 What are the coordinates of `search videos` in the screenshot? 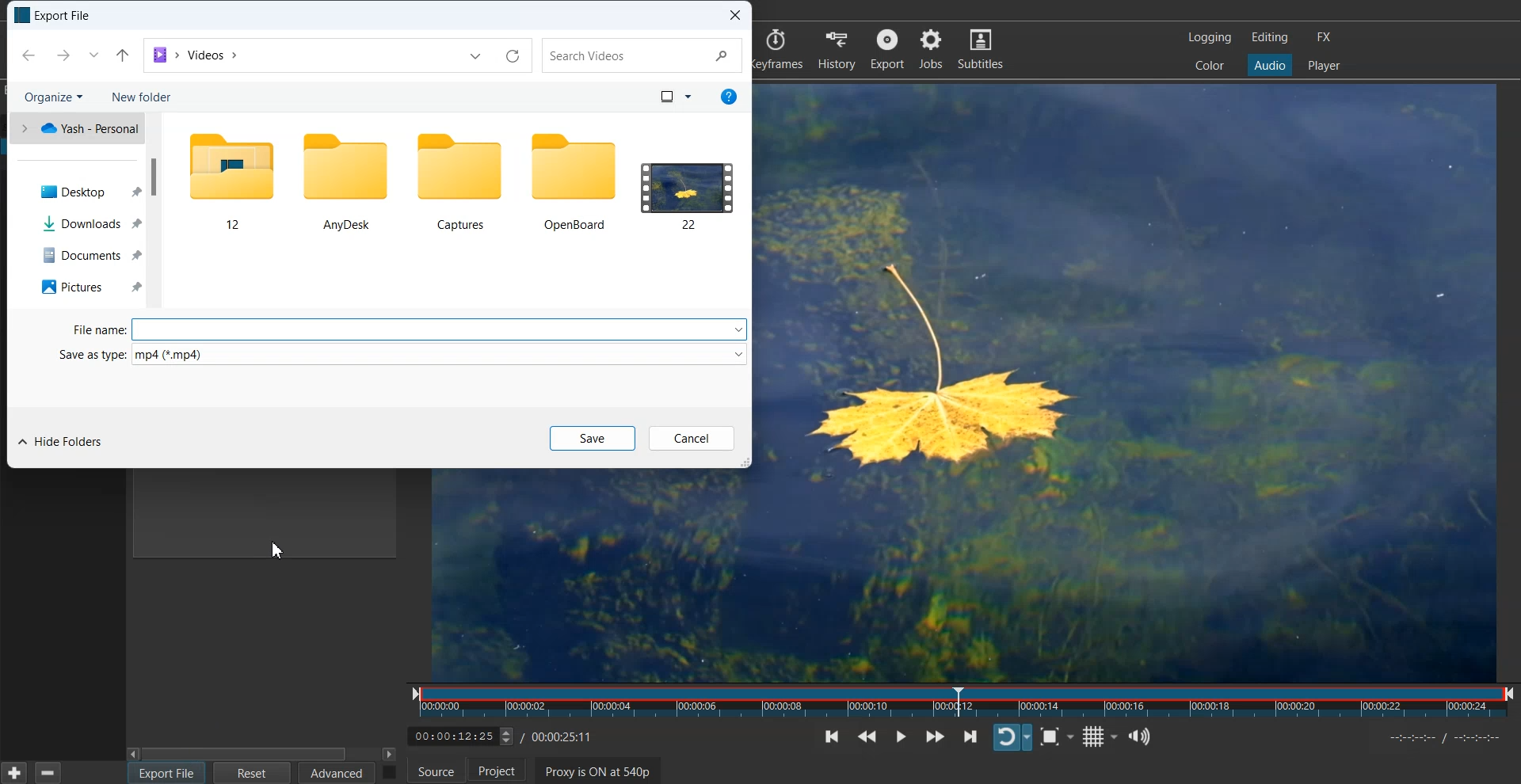 It's located at (642, 55).